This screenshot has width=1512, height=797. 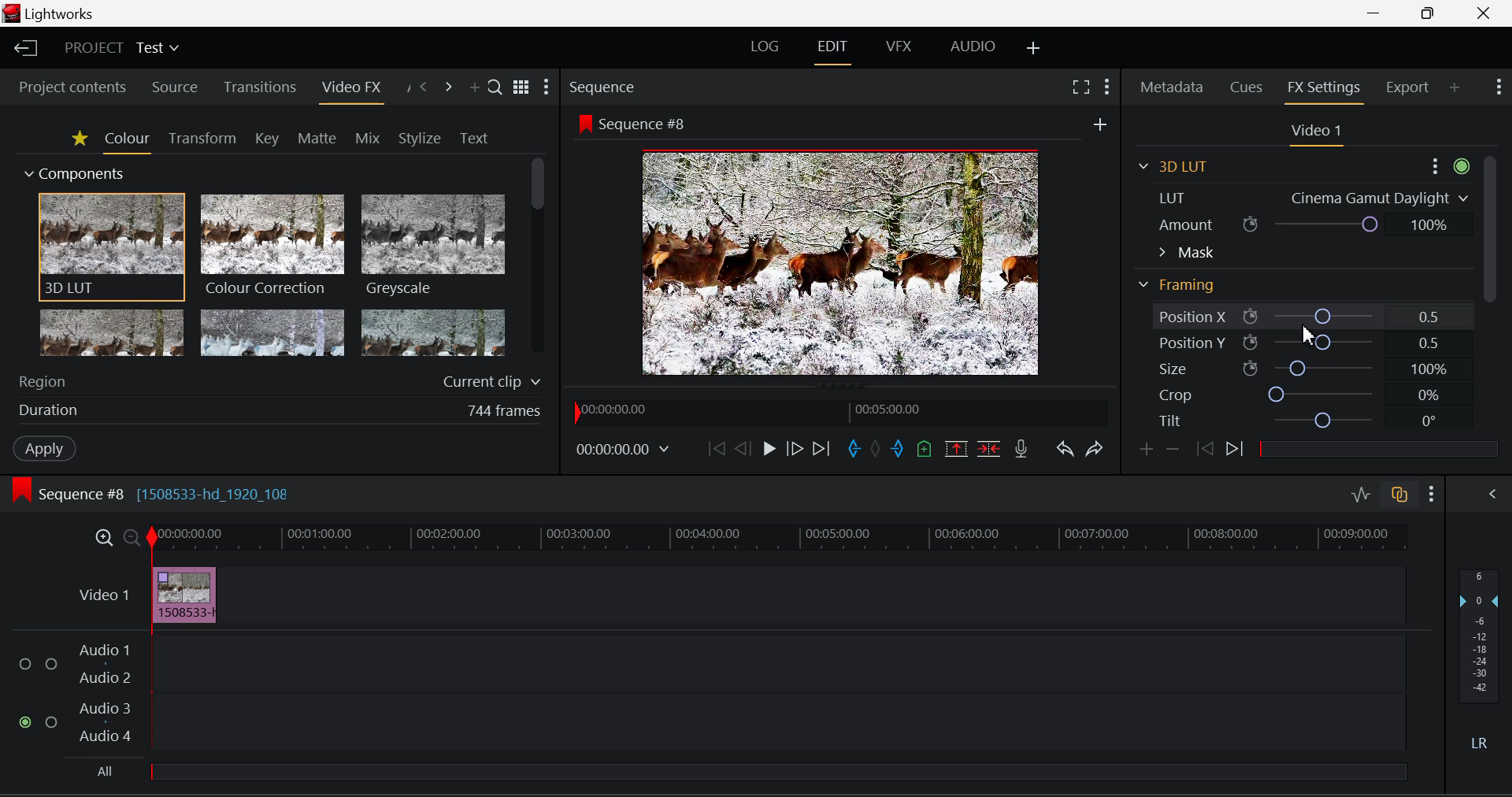 I want to click on Remove Marked Section, so click(x=954, y=448).